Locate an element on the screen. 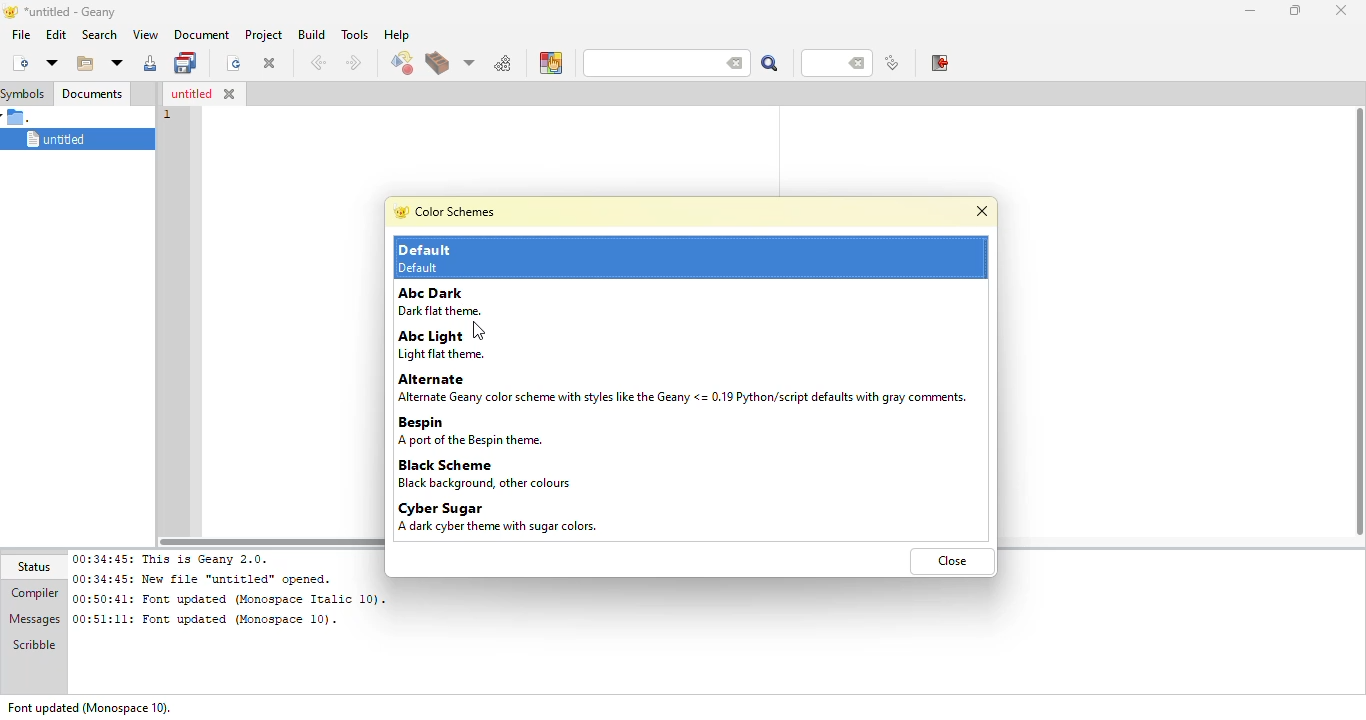 This screenshot has width=1366, height=720. maximize is located at coordinates (1293, 9).